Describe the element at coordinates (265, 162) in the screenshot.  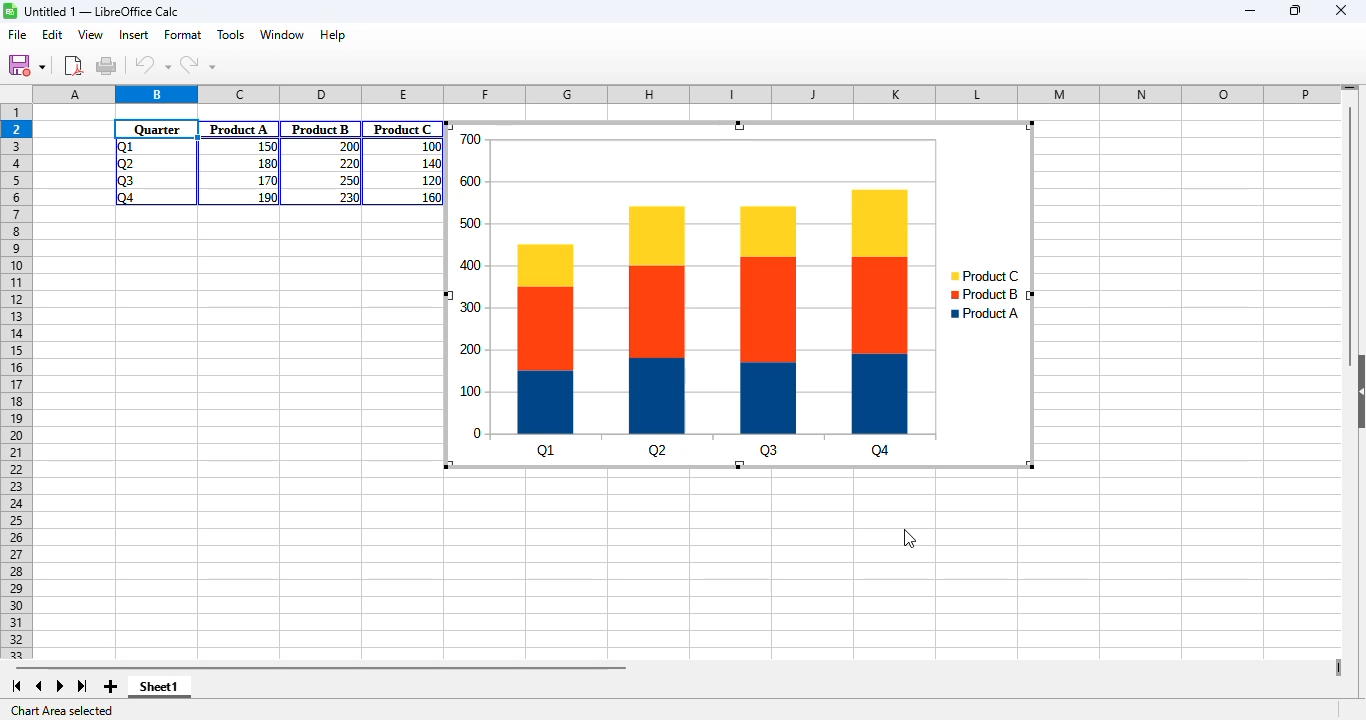
I see `180` at that location.